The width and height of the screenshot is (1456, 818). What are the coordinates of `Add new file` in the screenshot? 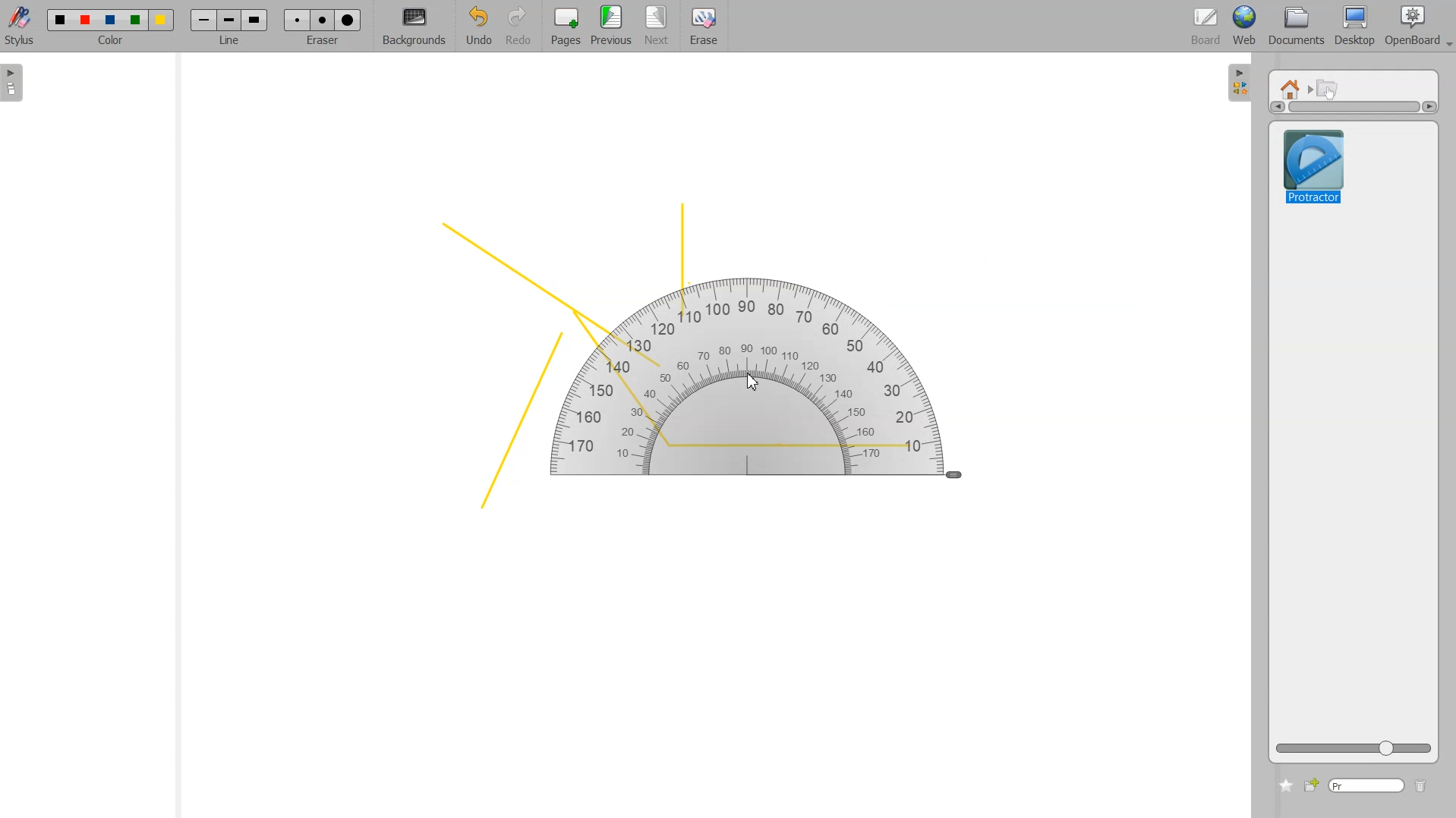 It's located at (1310, 785).